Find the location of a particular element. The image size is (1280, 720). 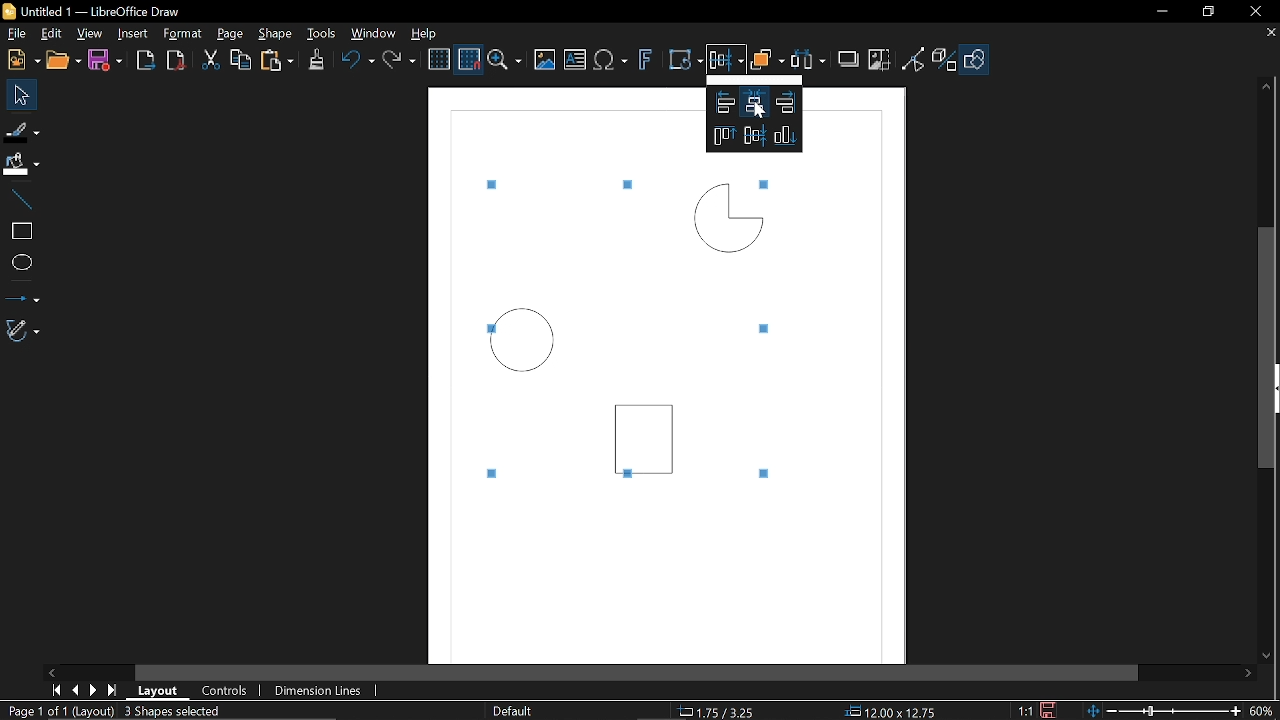

Circle is located at coordinates (524, 341).